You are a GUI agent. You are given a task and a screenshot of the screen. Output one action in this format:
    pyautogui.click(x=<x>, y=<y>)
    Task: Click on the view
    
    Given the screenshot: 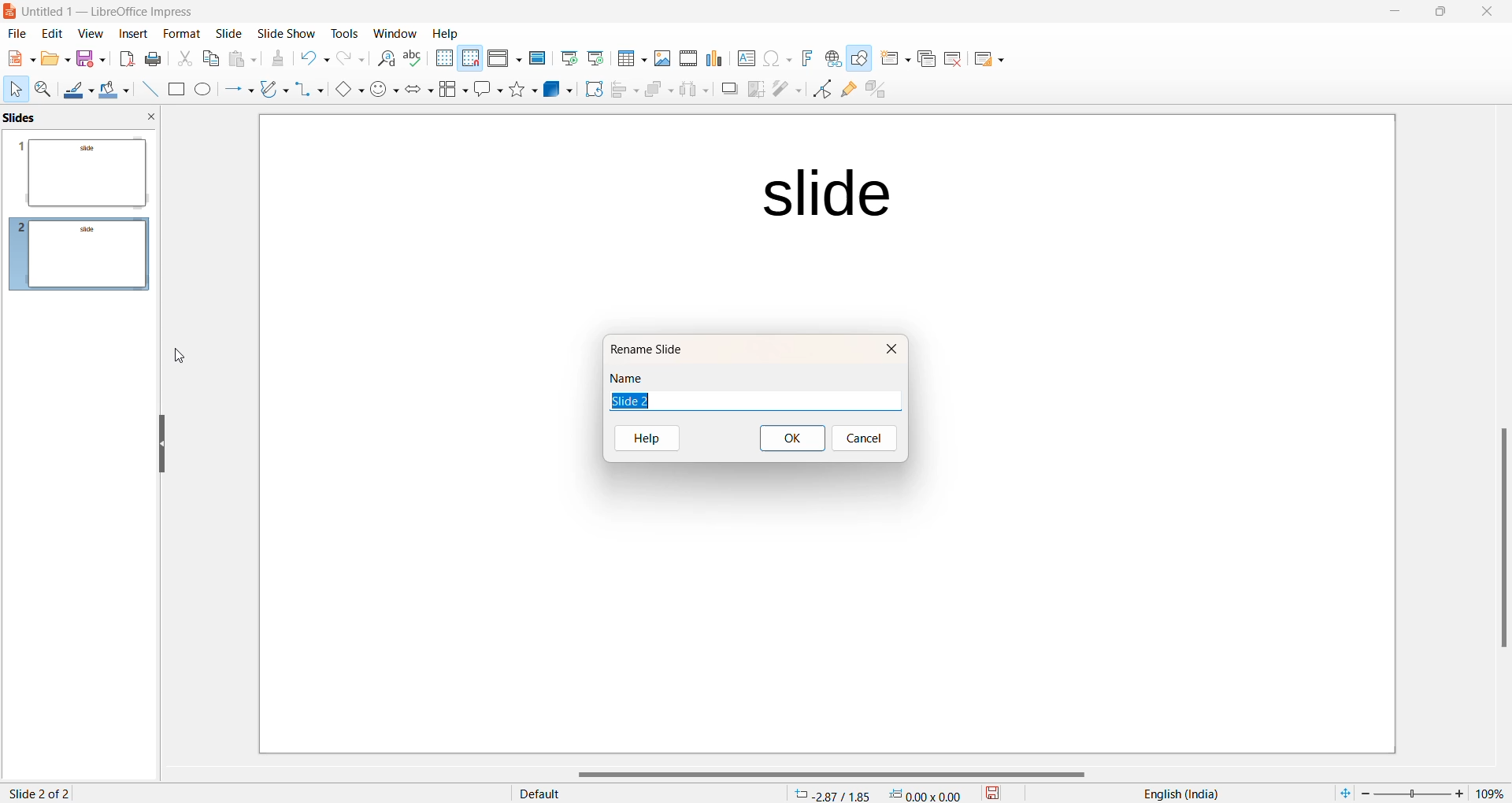 What is the action you would take?
    pyautogui.click(x=87, y=35)
    